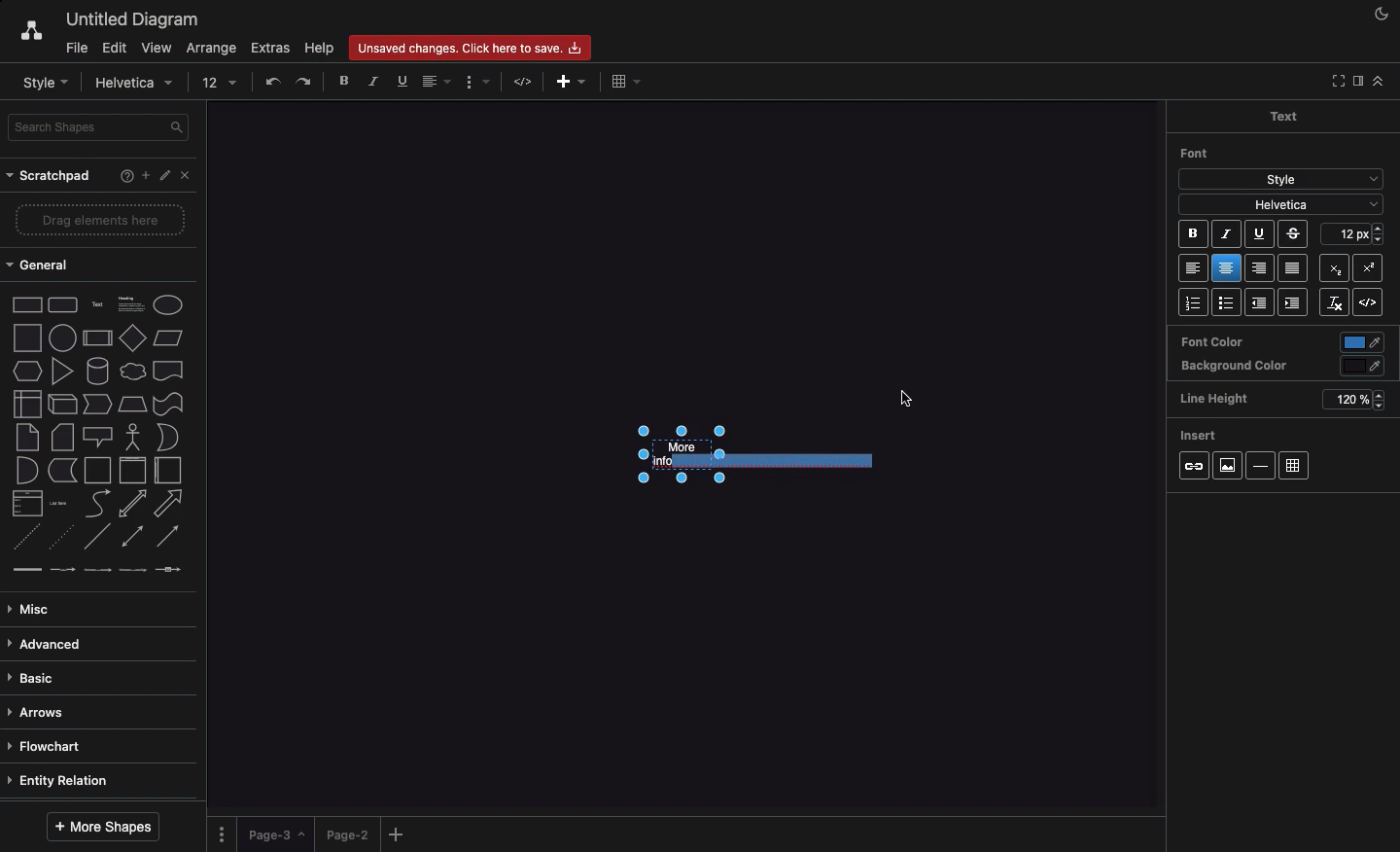 The image size is (1400, 852). Describe the element at coordinates (1355, 233) in the screenshot. I see `12 pt - Size` at that location.